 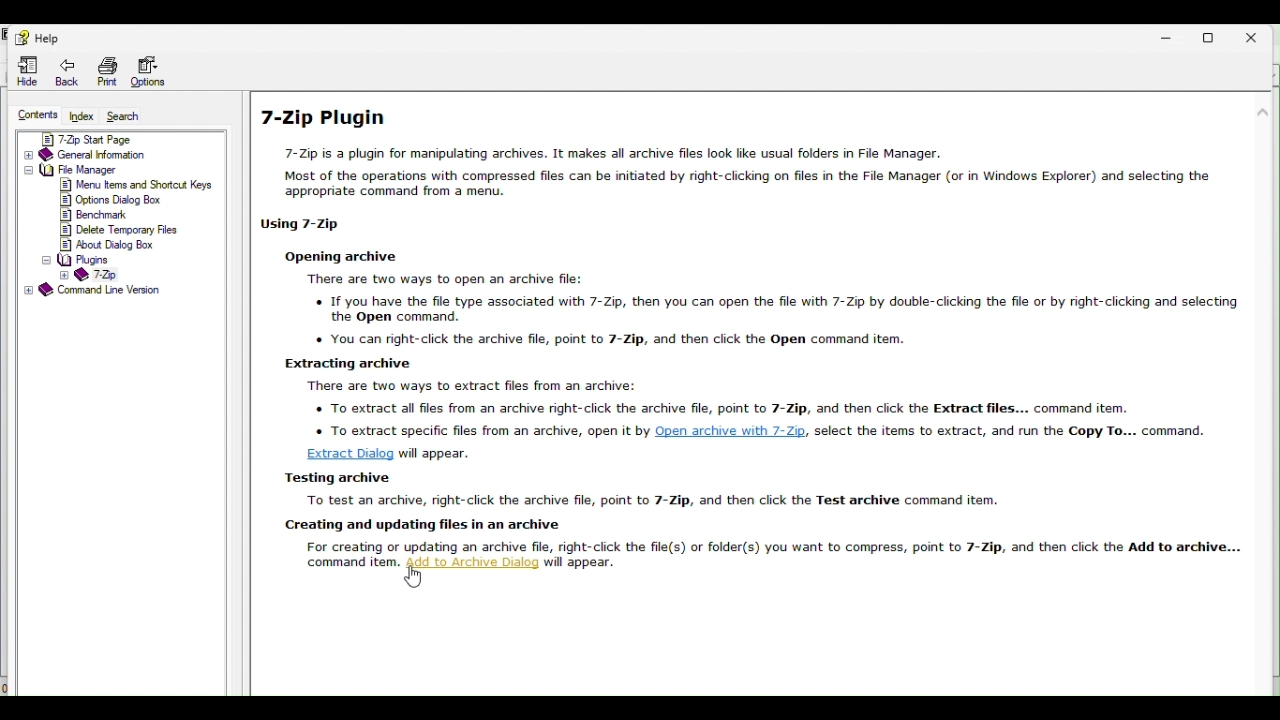 What do you see at coordinates (117, 229) in the screenshot?
I see `delete` at bounding box center [117, 229].